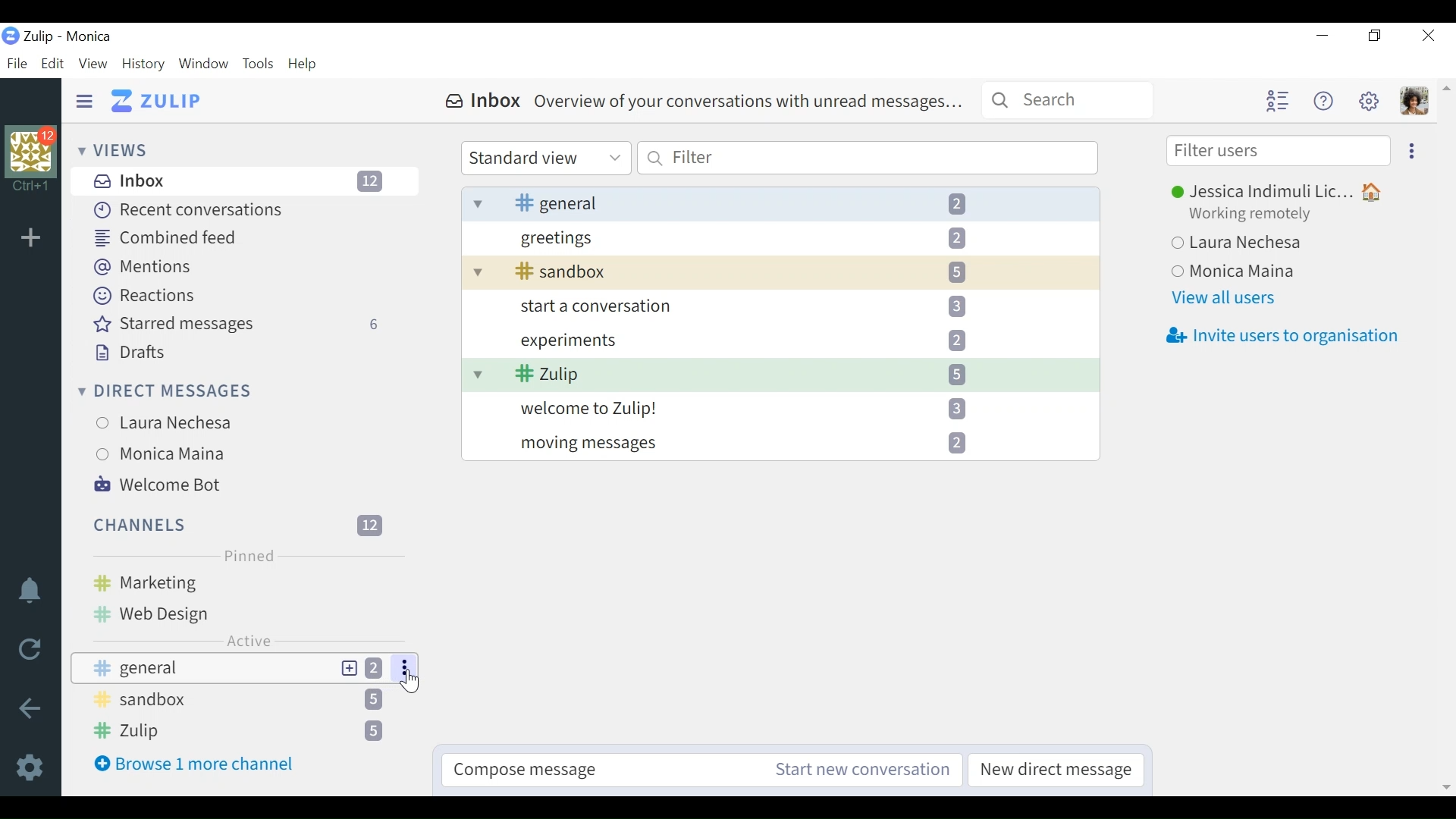 Image resolution: width=1456 pixels, height=819 pixels. Describe the element at coordinates (33, 766) in the screenshot. I see `Settings` at that location.